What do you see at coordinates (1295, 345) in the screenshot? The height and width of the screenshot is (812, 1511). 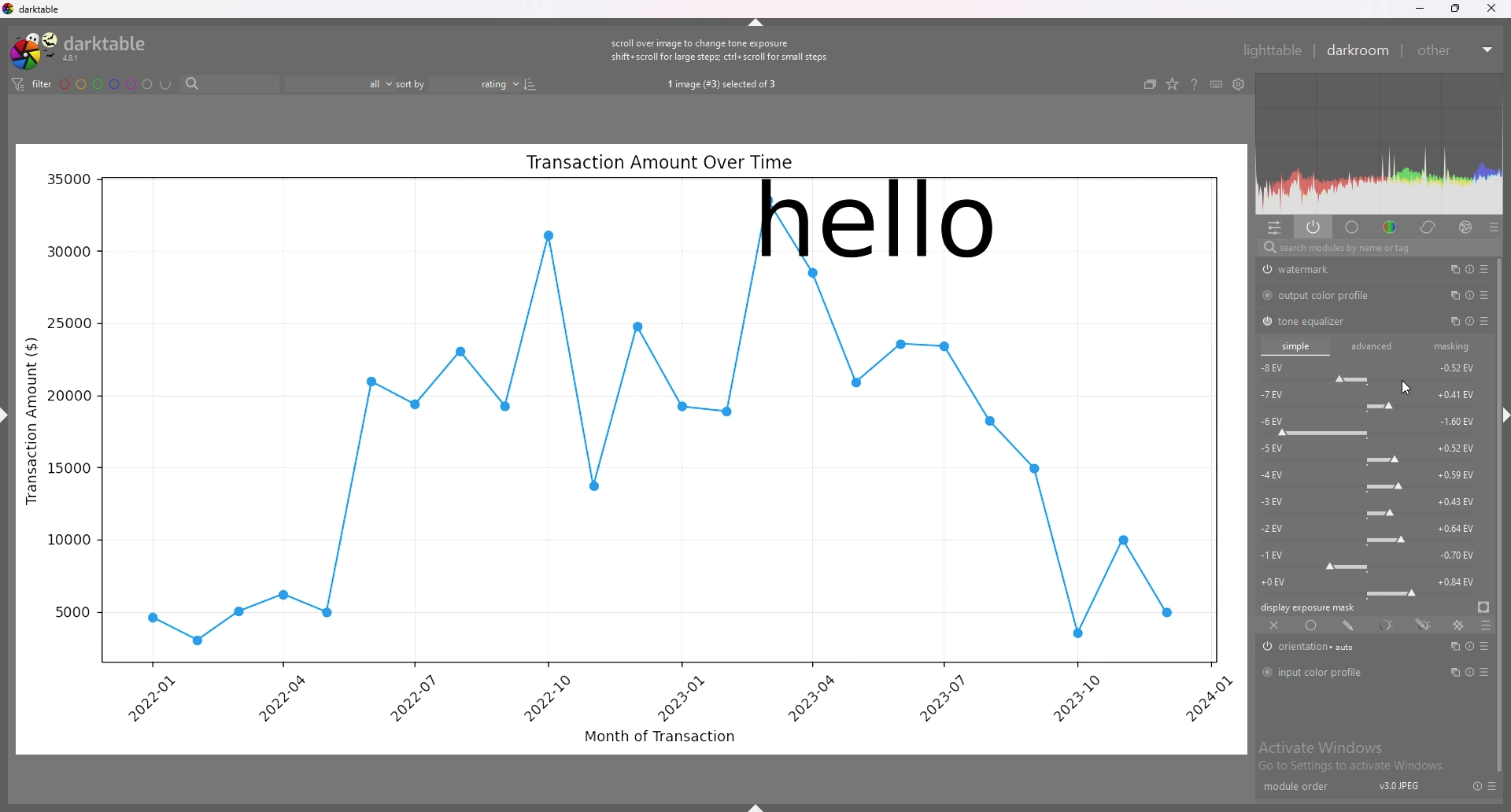 I see `simple` at bounding box center [1295, 345].